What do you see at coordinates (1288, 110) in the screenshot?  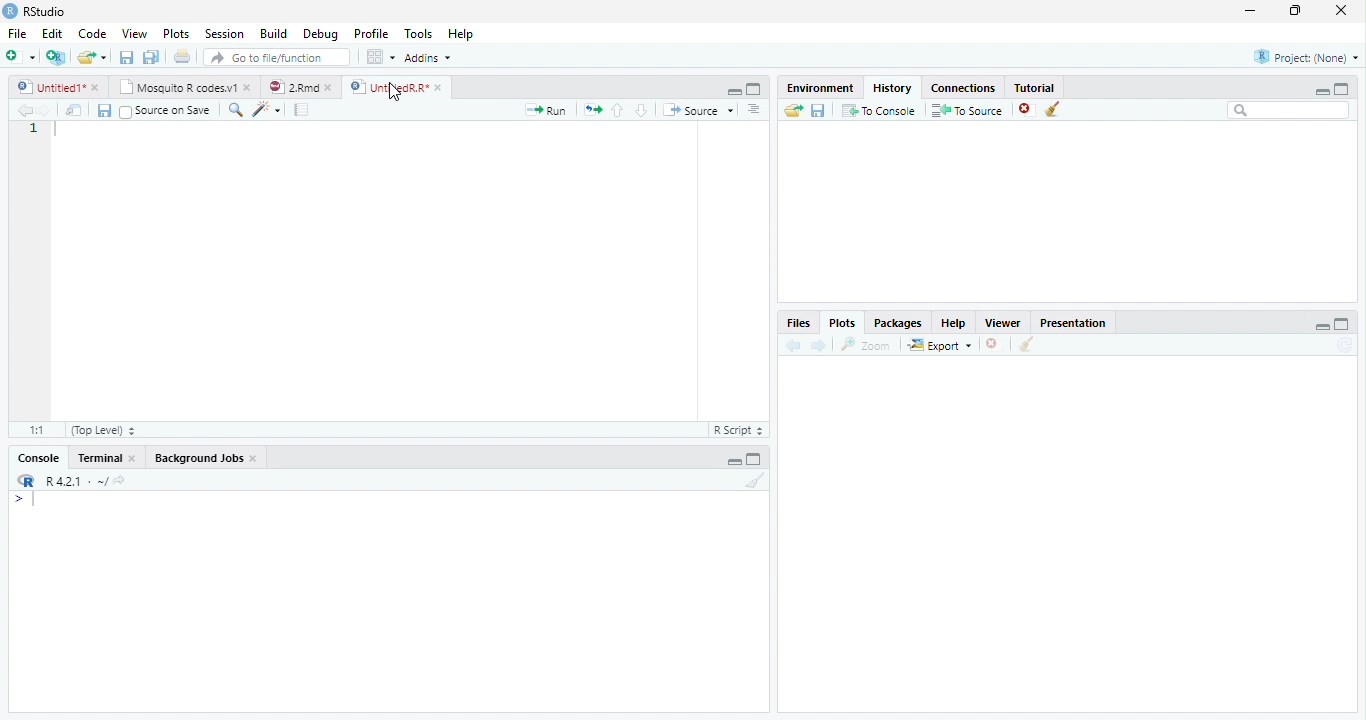 I see `Search bar` at bounding box center [1288, 110].